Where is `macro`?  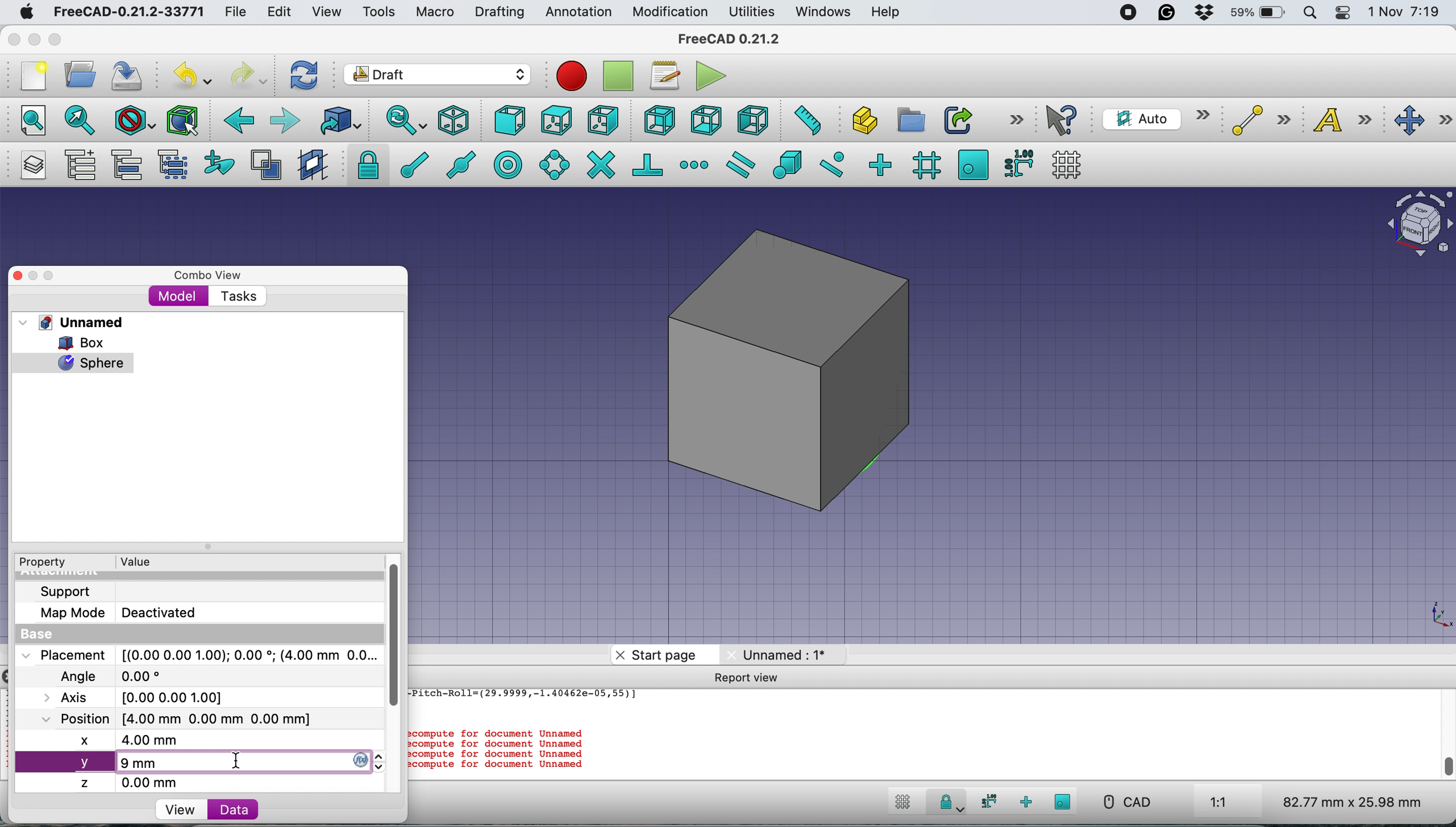
macro is located at coordinates (434, 12).